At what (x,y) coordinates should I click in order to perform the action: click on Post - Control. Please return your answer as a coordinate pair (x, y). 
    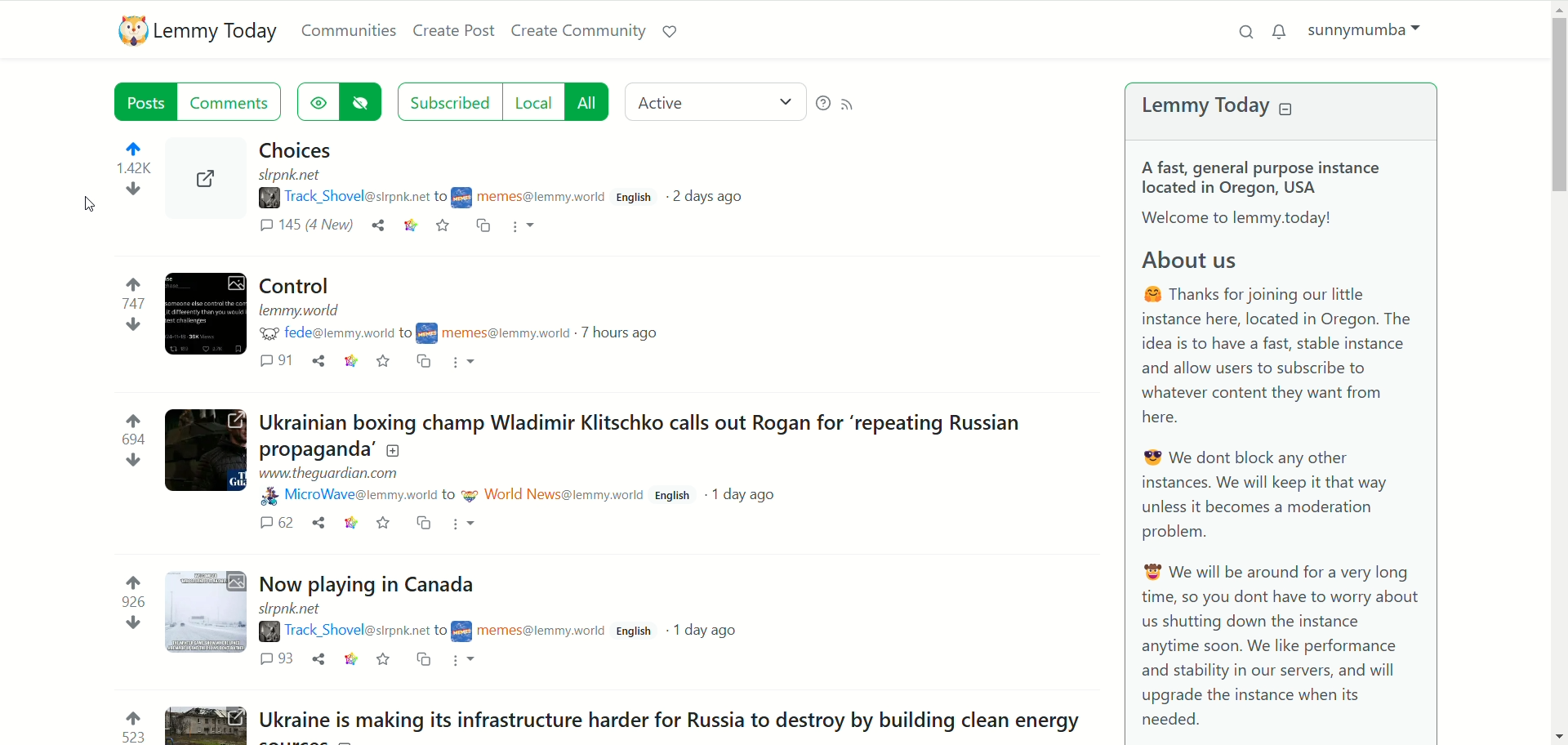
    Looking at the image, I should click on (319, 286).